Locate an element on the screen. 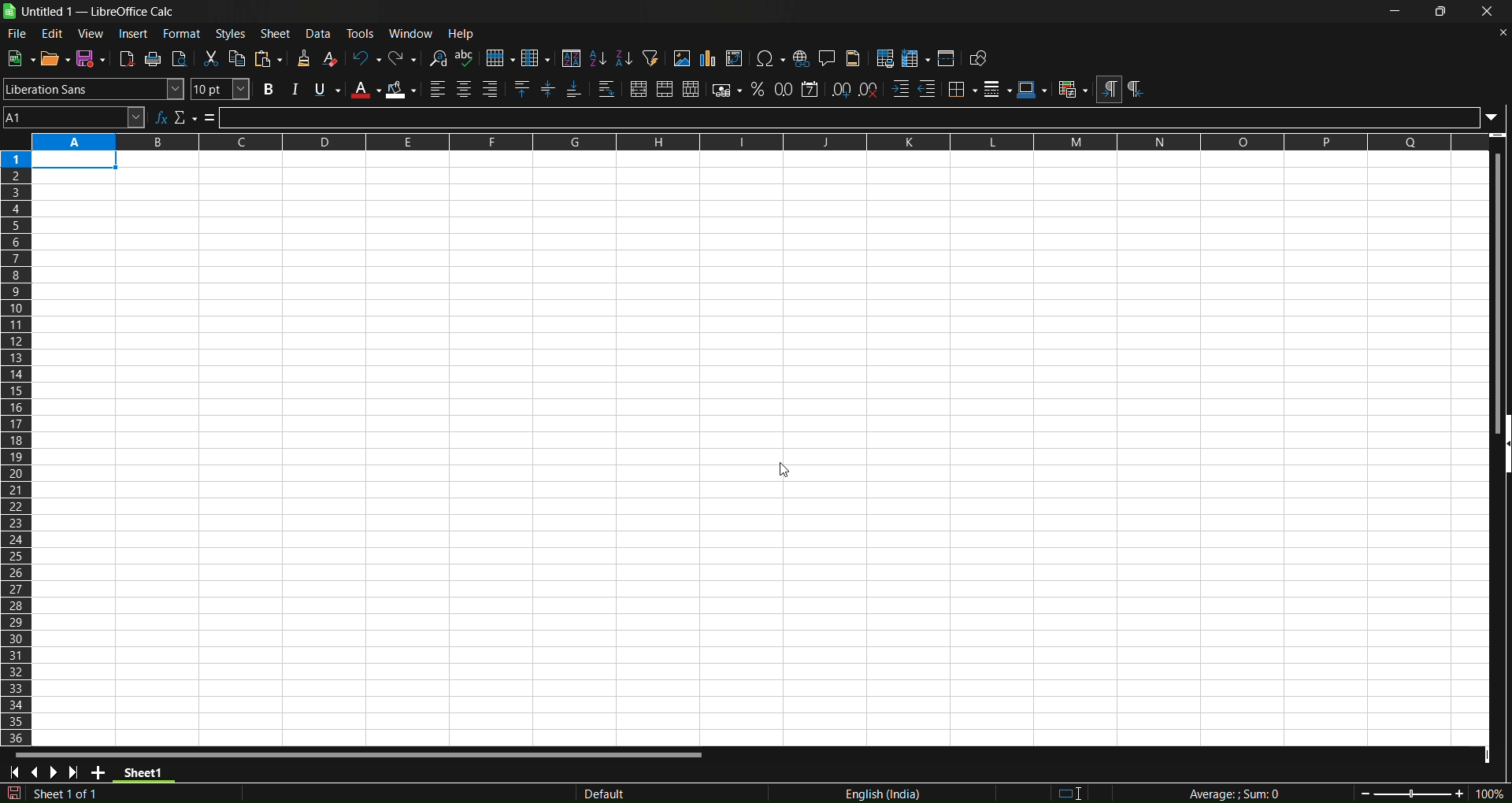  new is located at coordinates (20, 57).